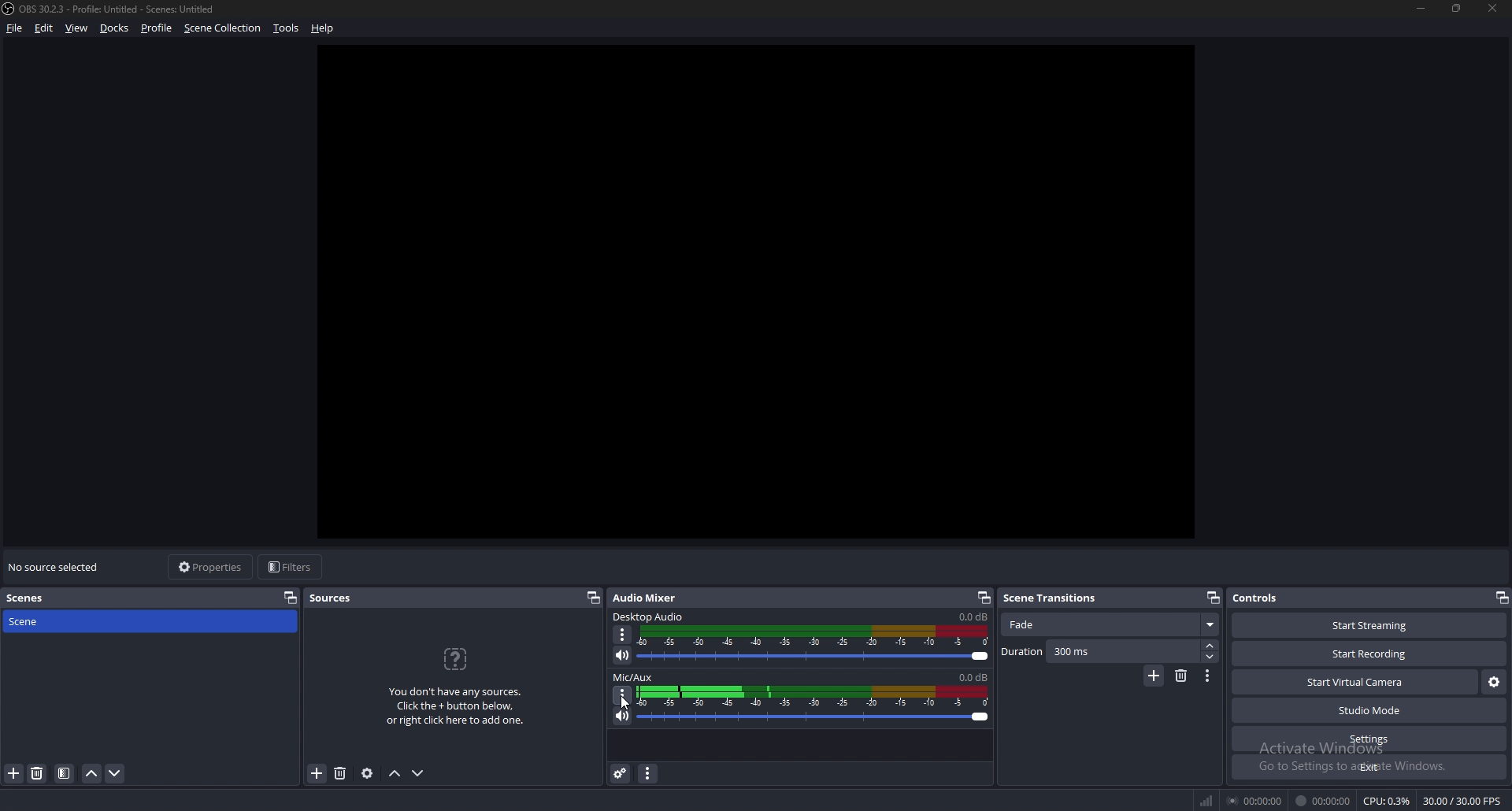  I want to click on volume, so click(973, 617).